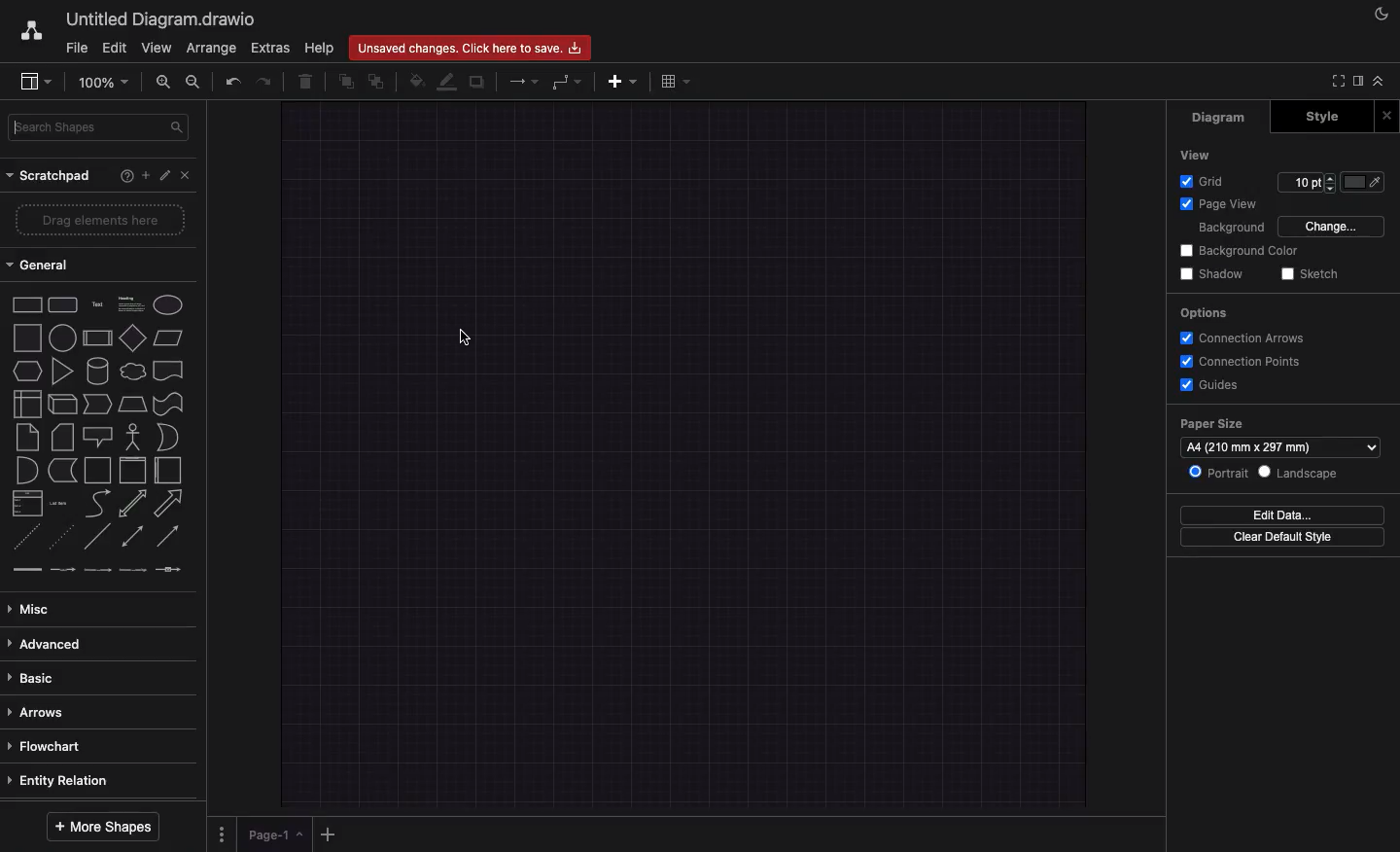 The height and width of the screenshot is (852, 1400). I want to click on Shadow, so click(1215, 273).